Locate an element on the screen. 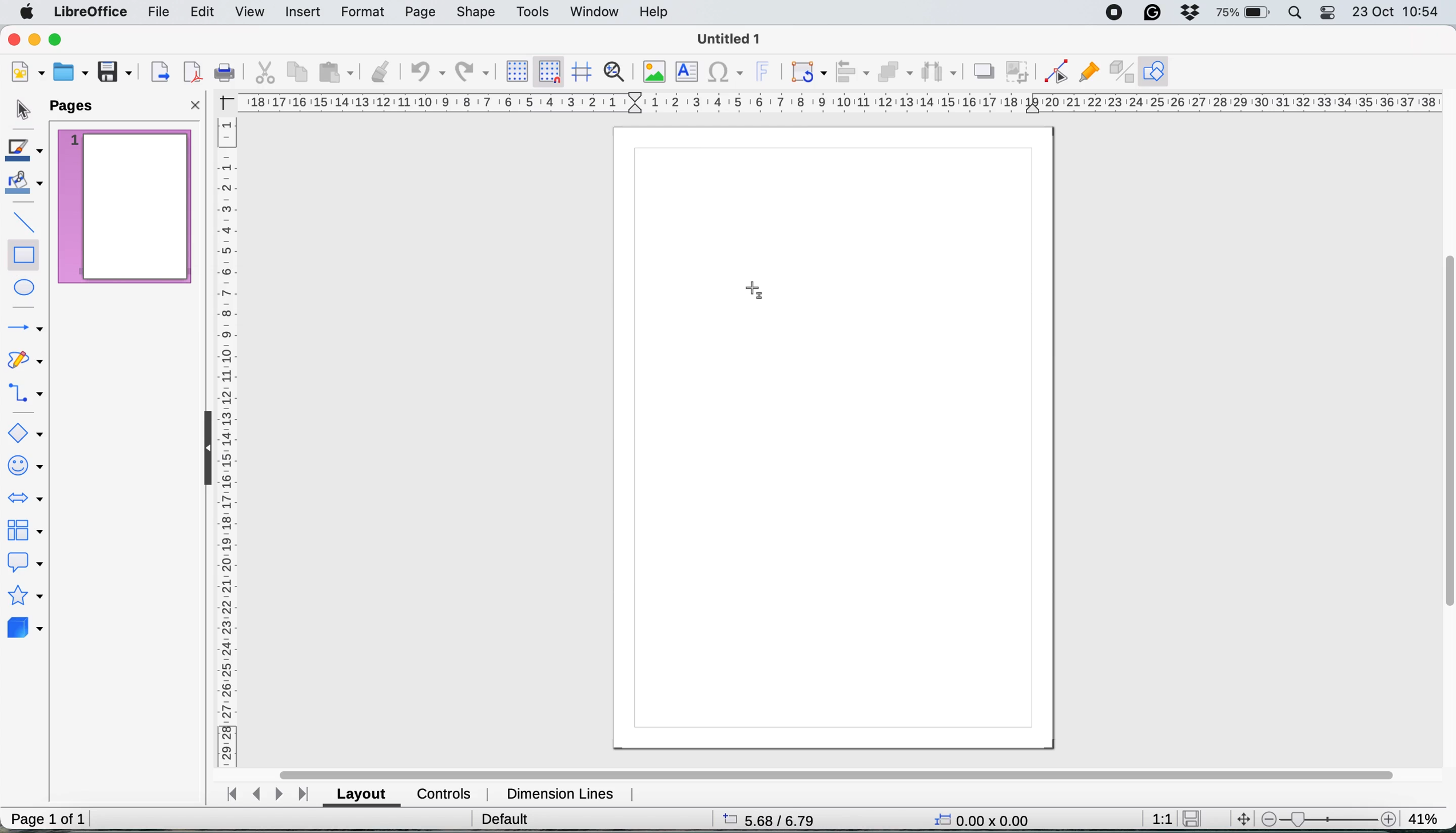  snap to grid is located at coordinates (549, 71).